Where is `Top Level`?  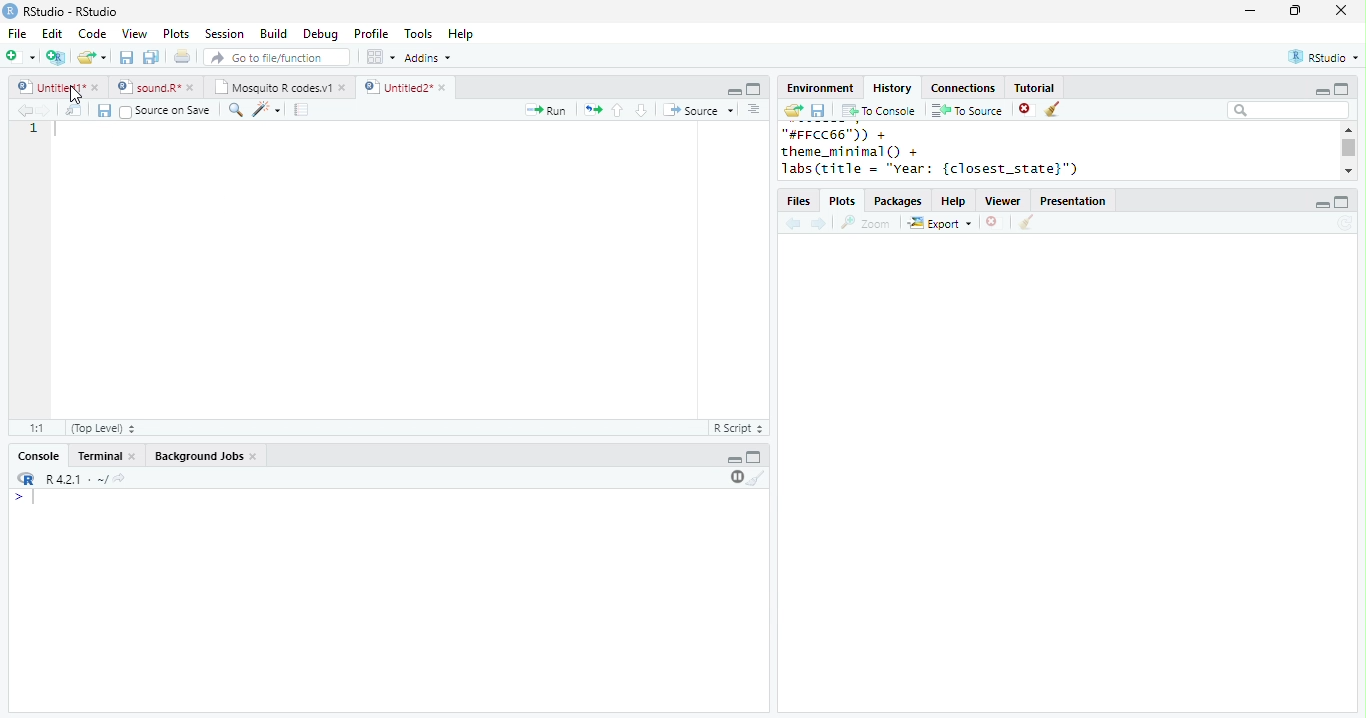
Top Level is located at coordinates (105, 428).